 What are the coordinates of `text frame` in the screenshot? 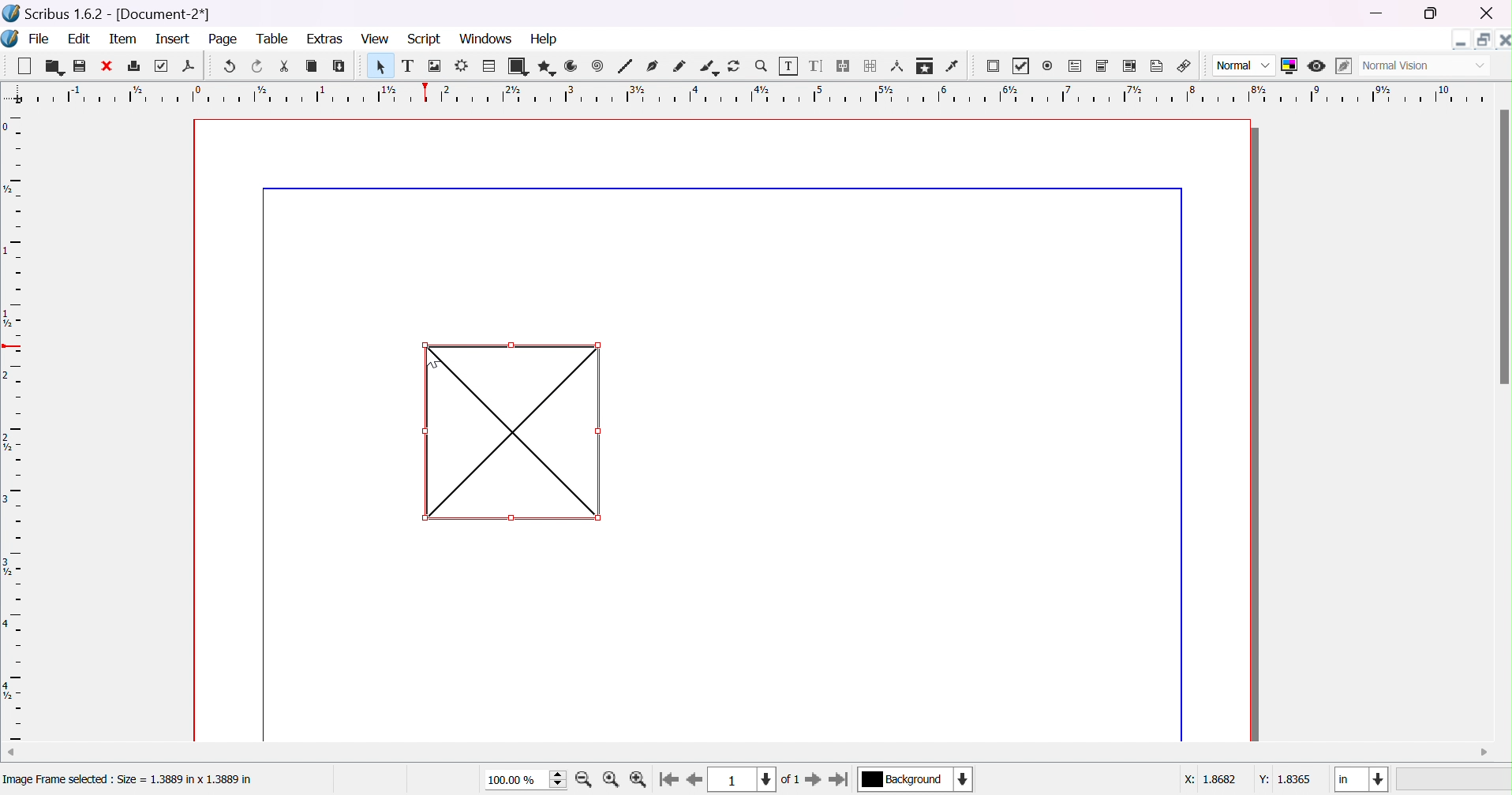 It's located at (407, 66).